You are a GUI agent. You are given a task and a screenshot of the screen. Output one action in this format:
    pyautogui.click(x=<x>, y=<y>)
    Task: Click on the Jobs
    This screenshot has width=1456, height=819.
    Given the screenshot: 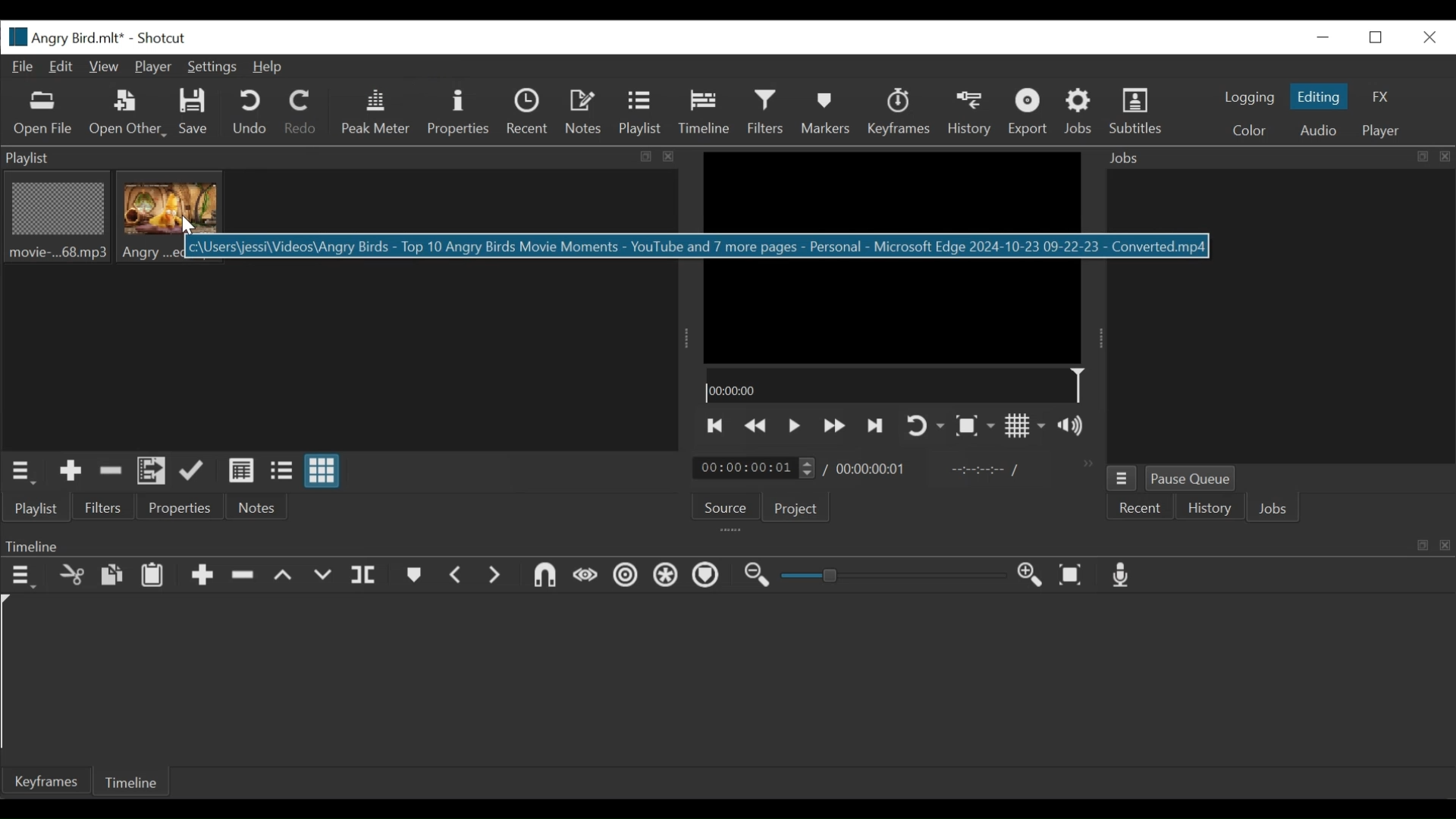 What is the action you would take?
    pyautogui.click(x=1081, y=112)
    